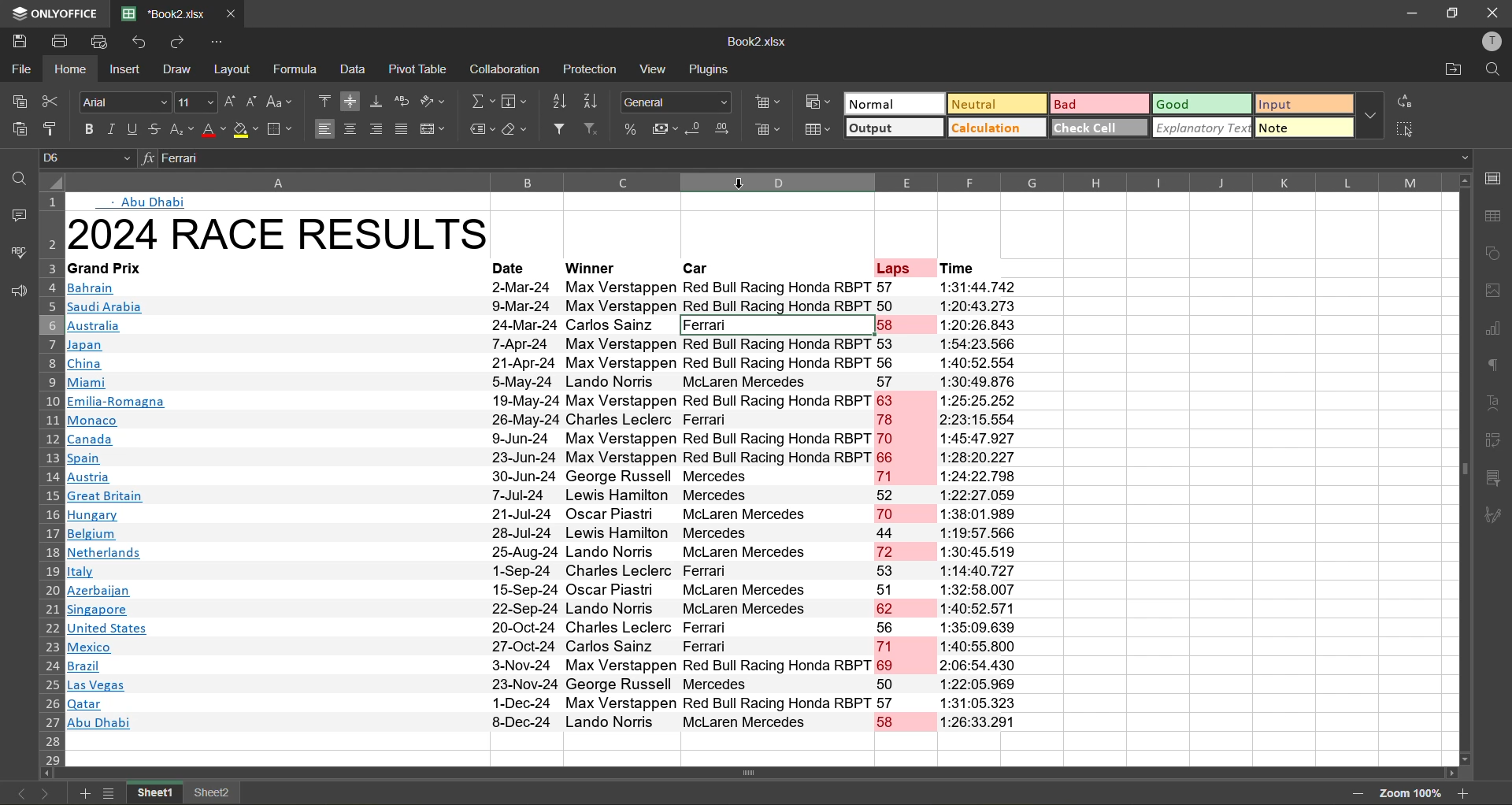 This screenshot has height=805, width=1512. What do you see at coordinates (1099, 129) in the screenshot?
I see `check cell` at bounding box center [1099, 129].